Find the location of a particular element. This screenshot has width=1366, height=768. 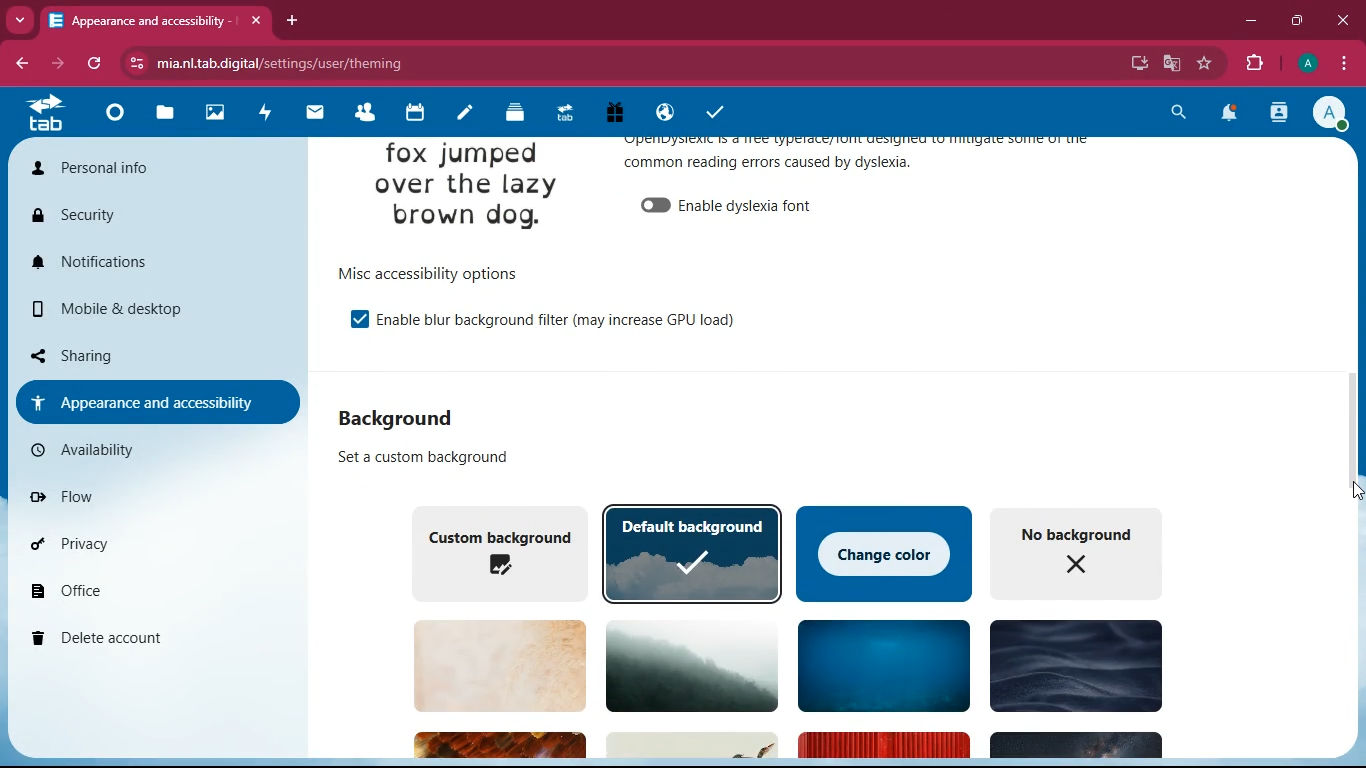

notifications is located at coordinates (145, 260).